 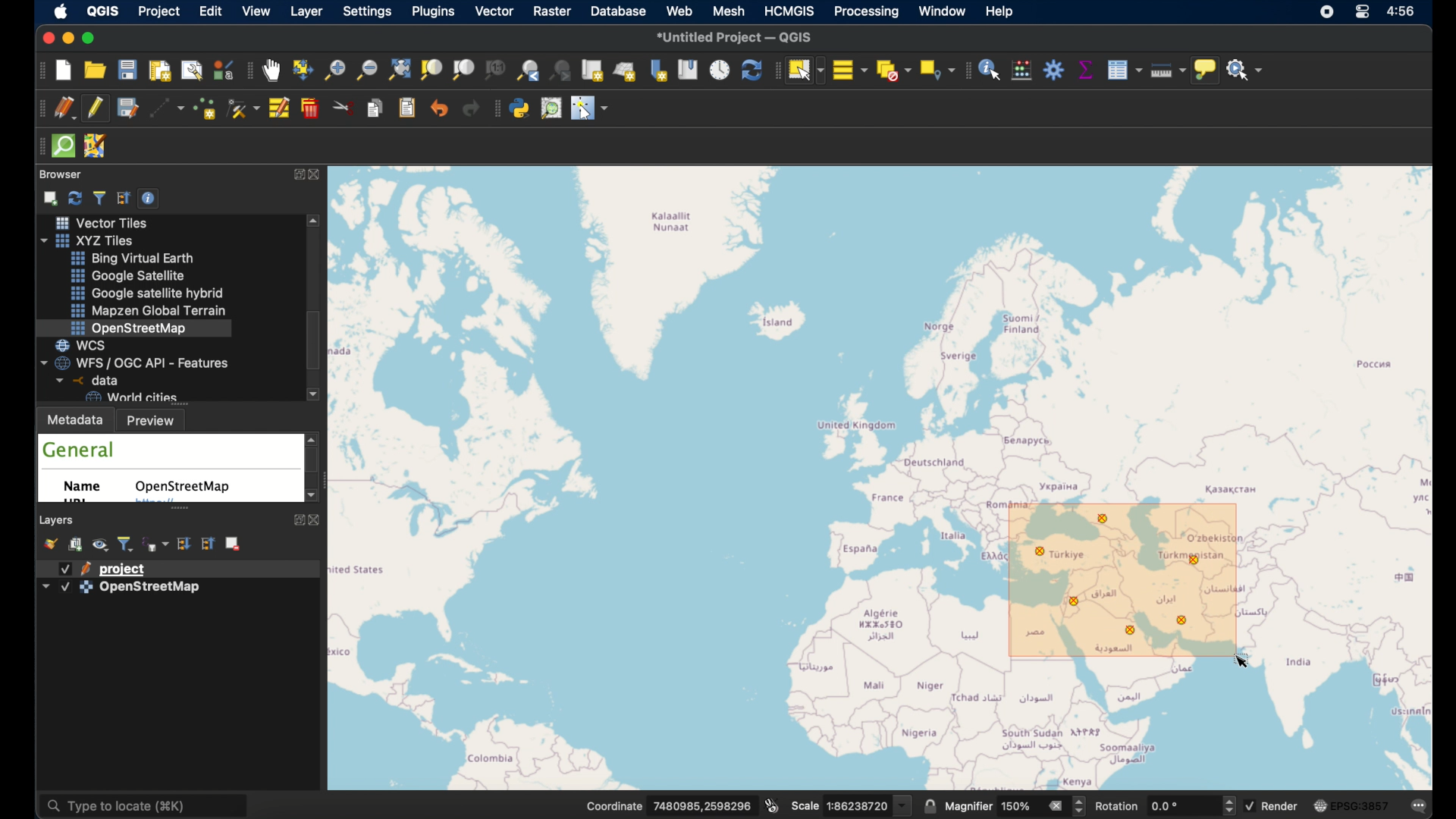 I want to click on cut features, so click(x=344, y=108).